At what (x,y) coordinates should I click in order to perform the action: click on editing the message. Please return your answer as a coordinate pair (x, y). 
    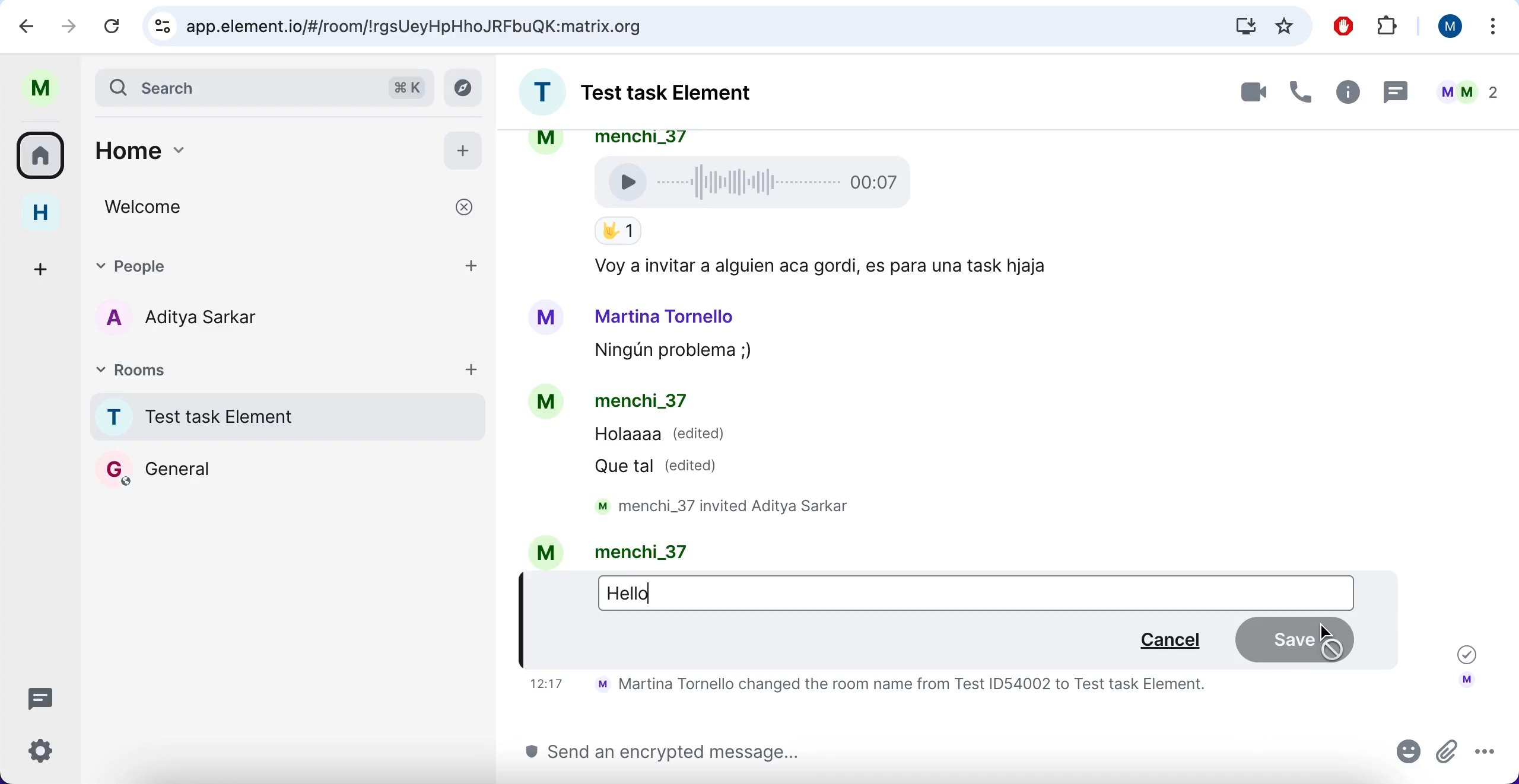
    Looking at the image, I should click on (987, 592).